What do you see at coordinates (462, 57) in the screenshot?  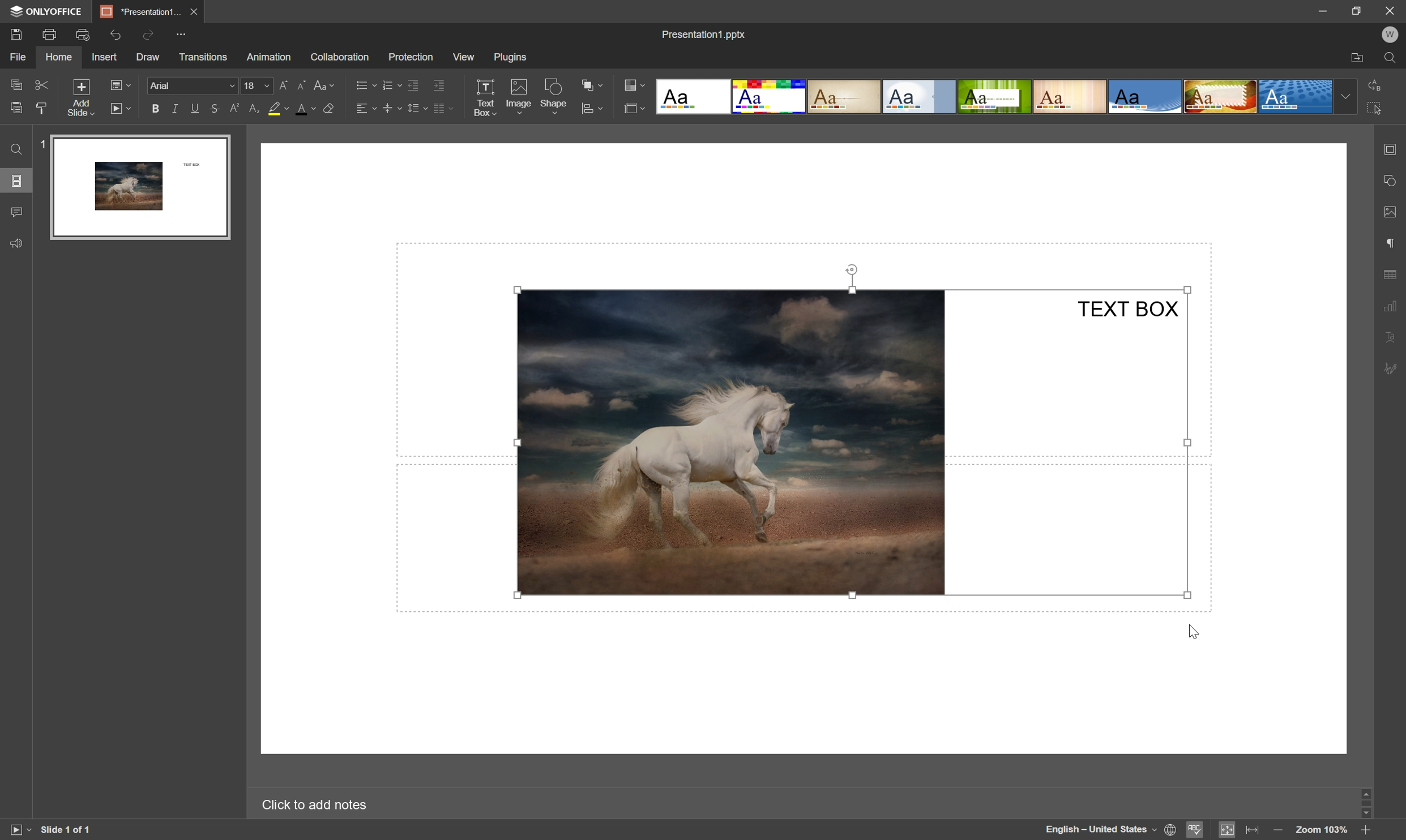 I see `view` at bounding box center [462, 57].